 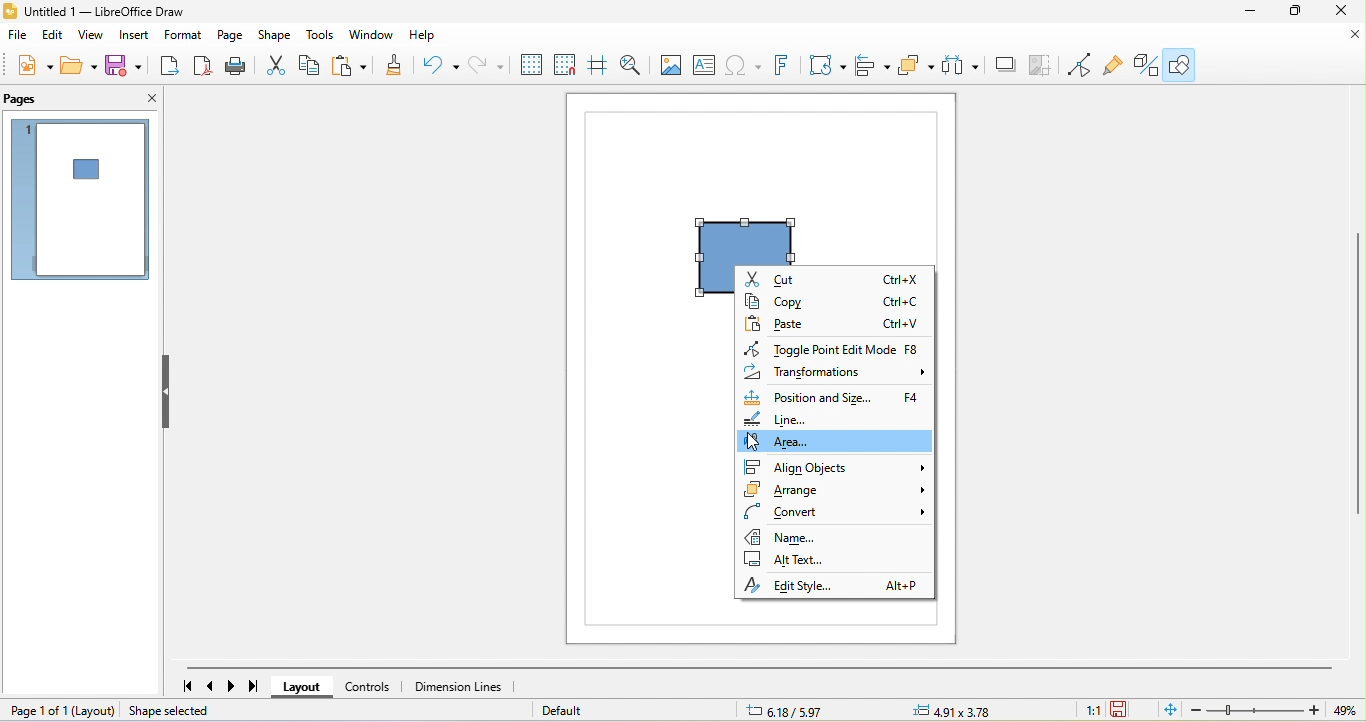 I want to click on copy, so click(x=313, y=67).